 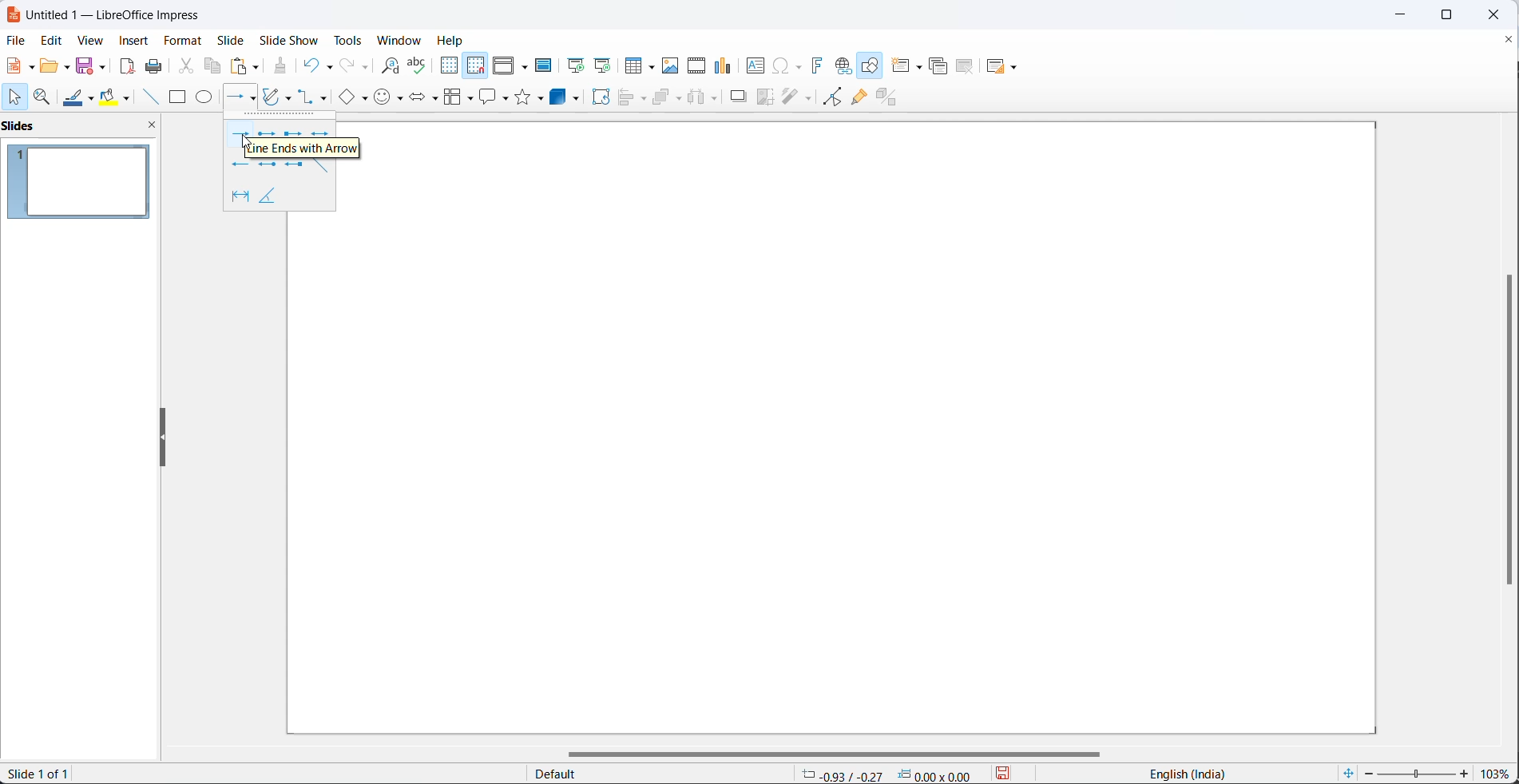 I want to click on zoom slider, so click(x=1418, y=771).